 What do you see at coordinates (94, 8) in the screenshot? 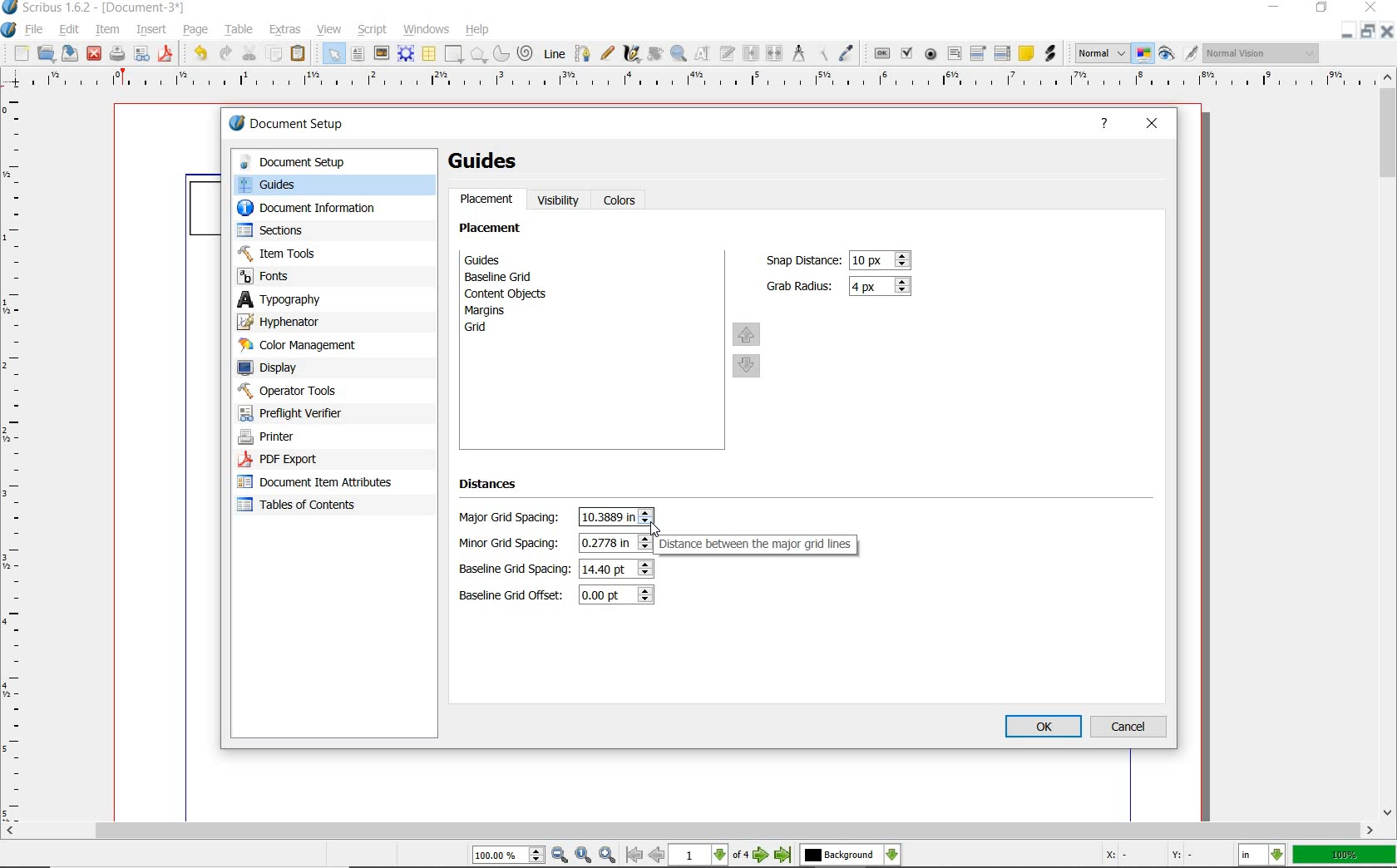
I see `Scribus 1.6.2 - [Document-3*]` at bounding box center [94, 8].